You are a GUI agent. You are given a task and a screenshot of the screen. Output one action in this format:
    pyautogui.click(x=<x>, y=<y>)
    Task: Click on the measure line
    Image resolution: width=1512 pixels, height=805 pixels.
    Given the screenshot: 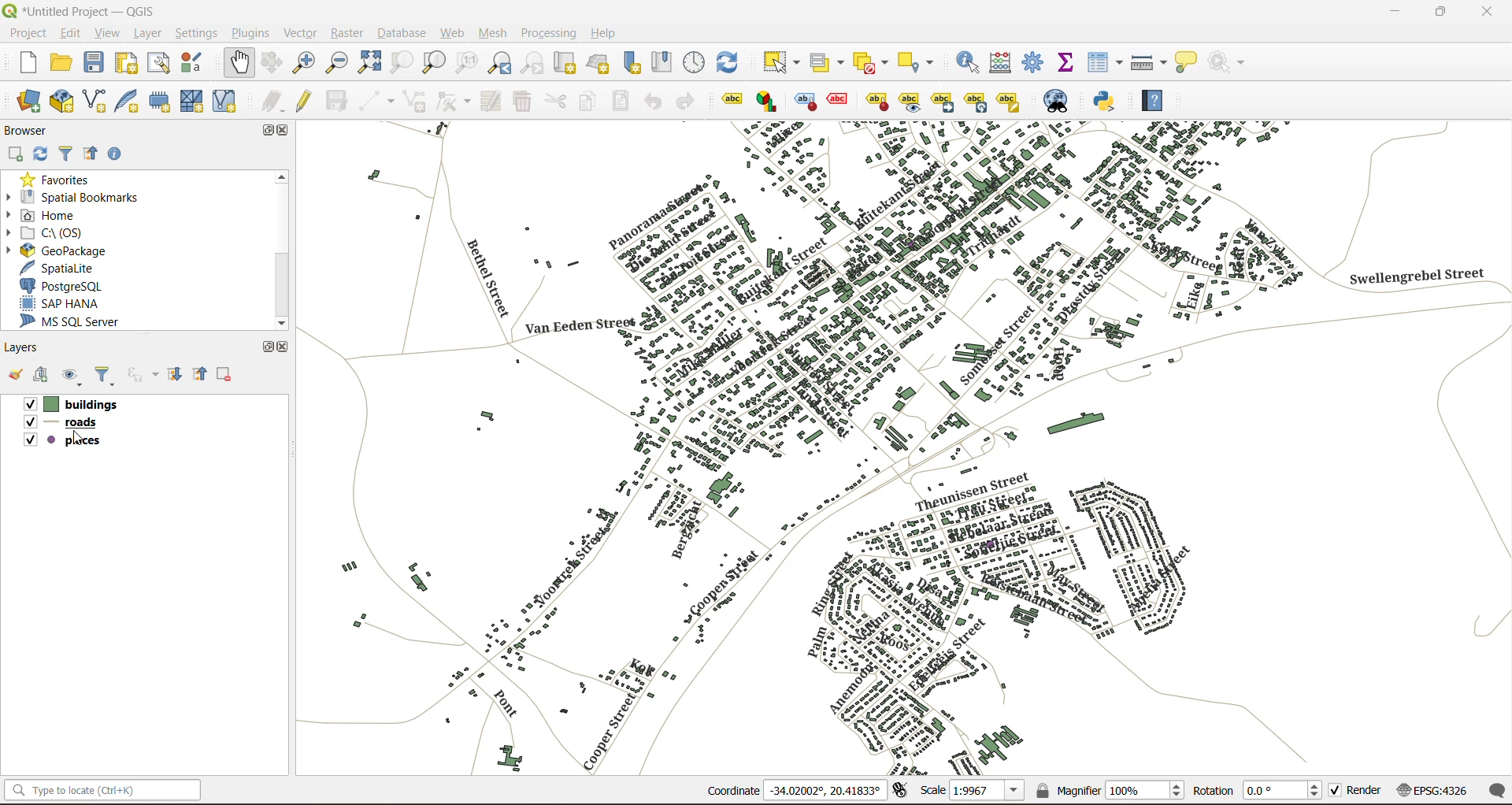 What is the action you would take?
    pyautogui.click(x=1149, y=63)
    